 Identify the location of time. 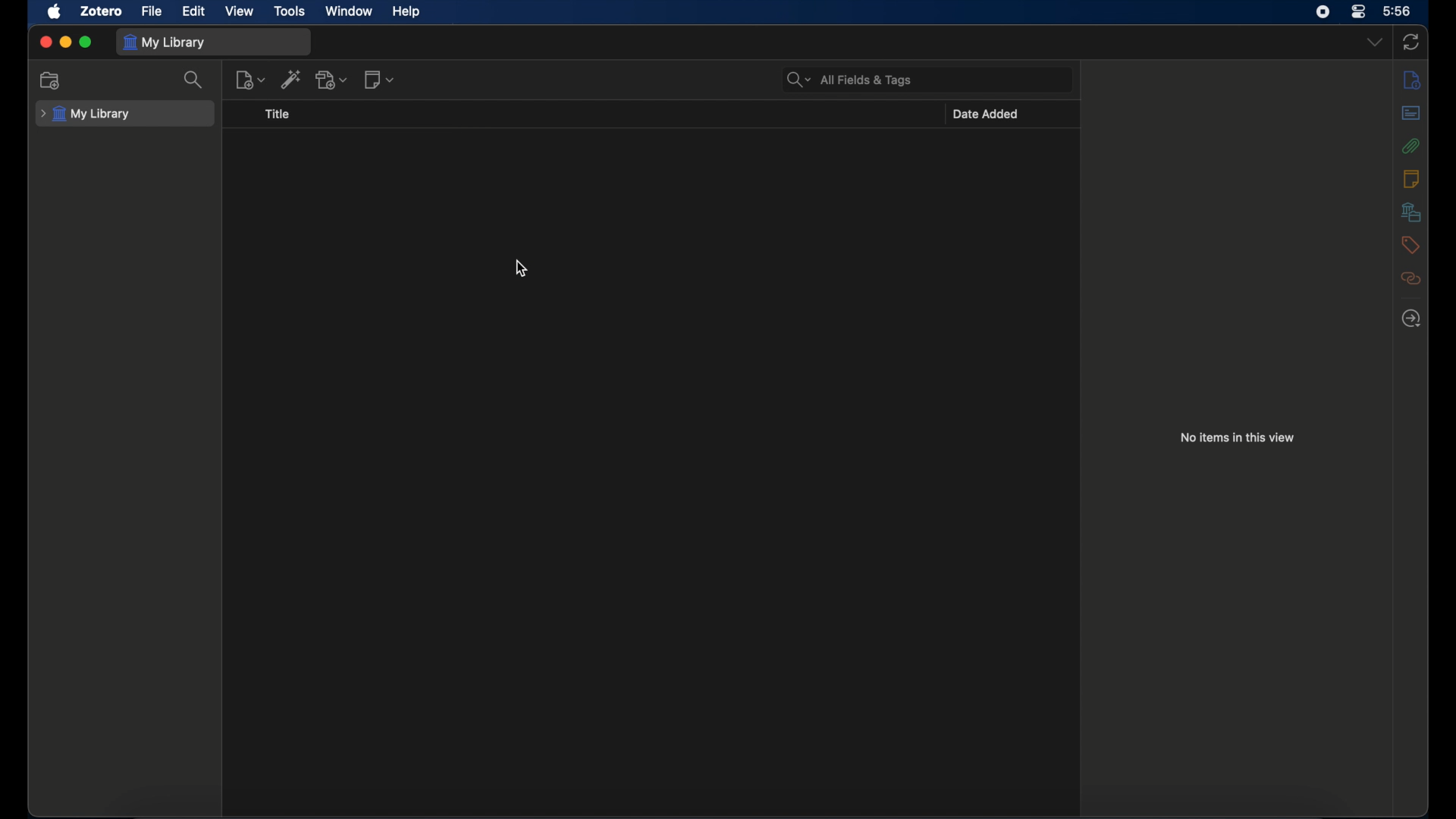
(1398, 11).